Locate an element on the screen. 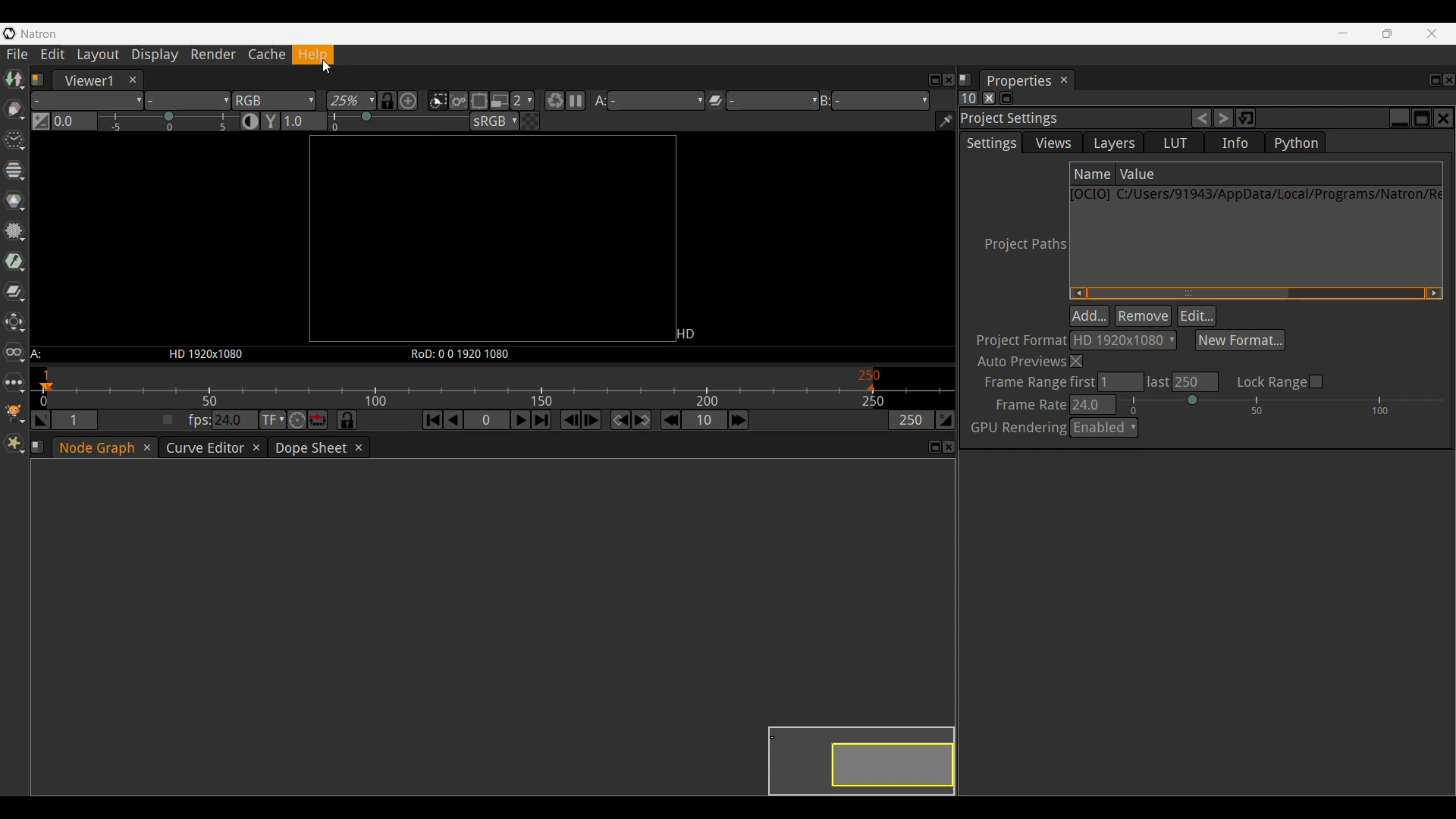 This screenshot has height=819, width=1456. Auto previews is located at coordinates (1022, 360).